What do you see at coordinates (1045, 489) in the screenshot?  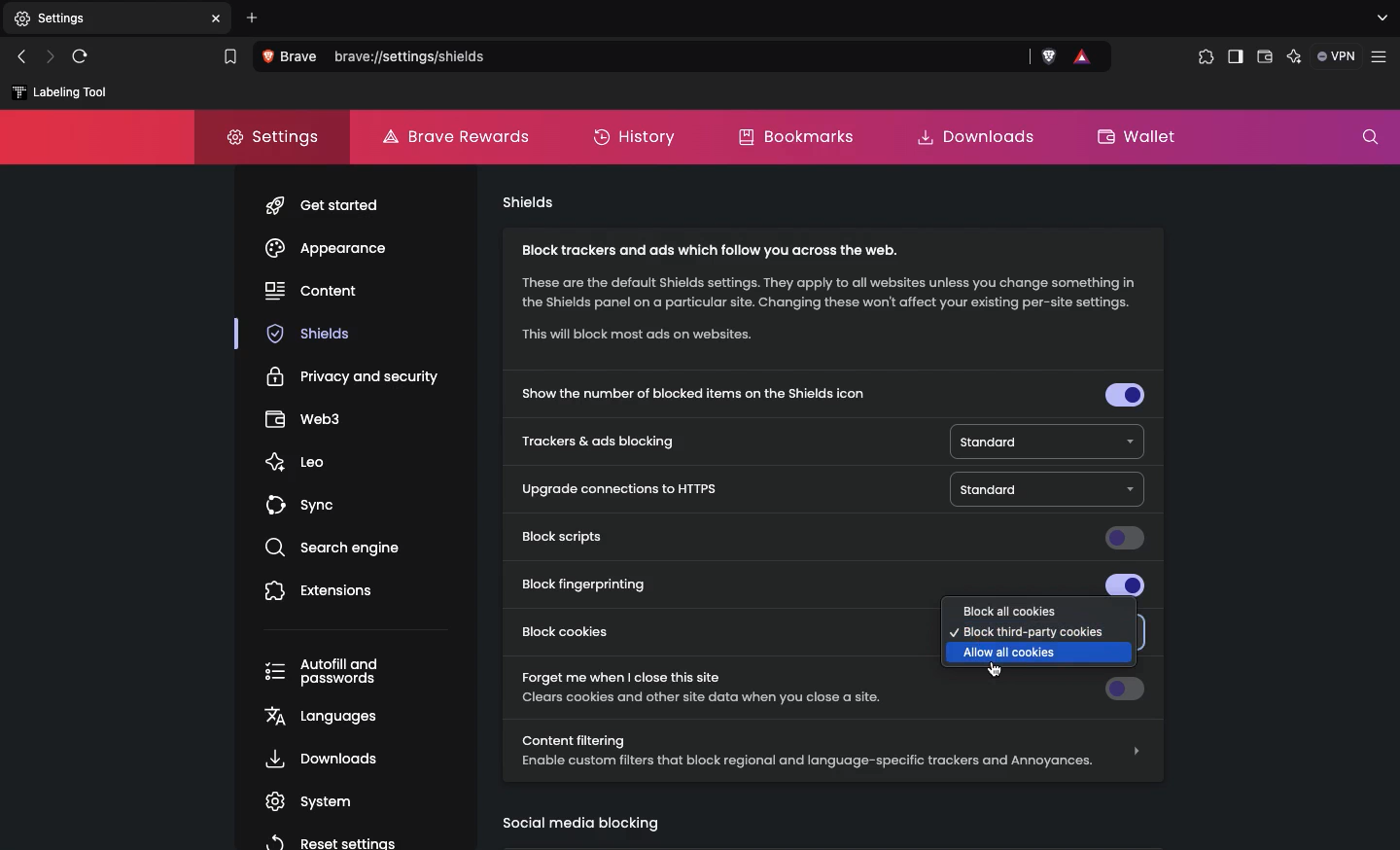 I see `Standard` at bounding box center [1045, 489].